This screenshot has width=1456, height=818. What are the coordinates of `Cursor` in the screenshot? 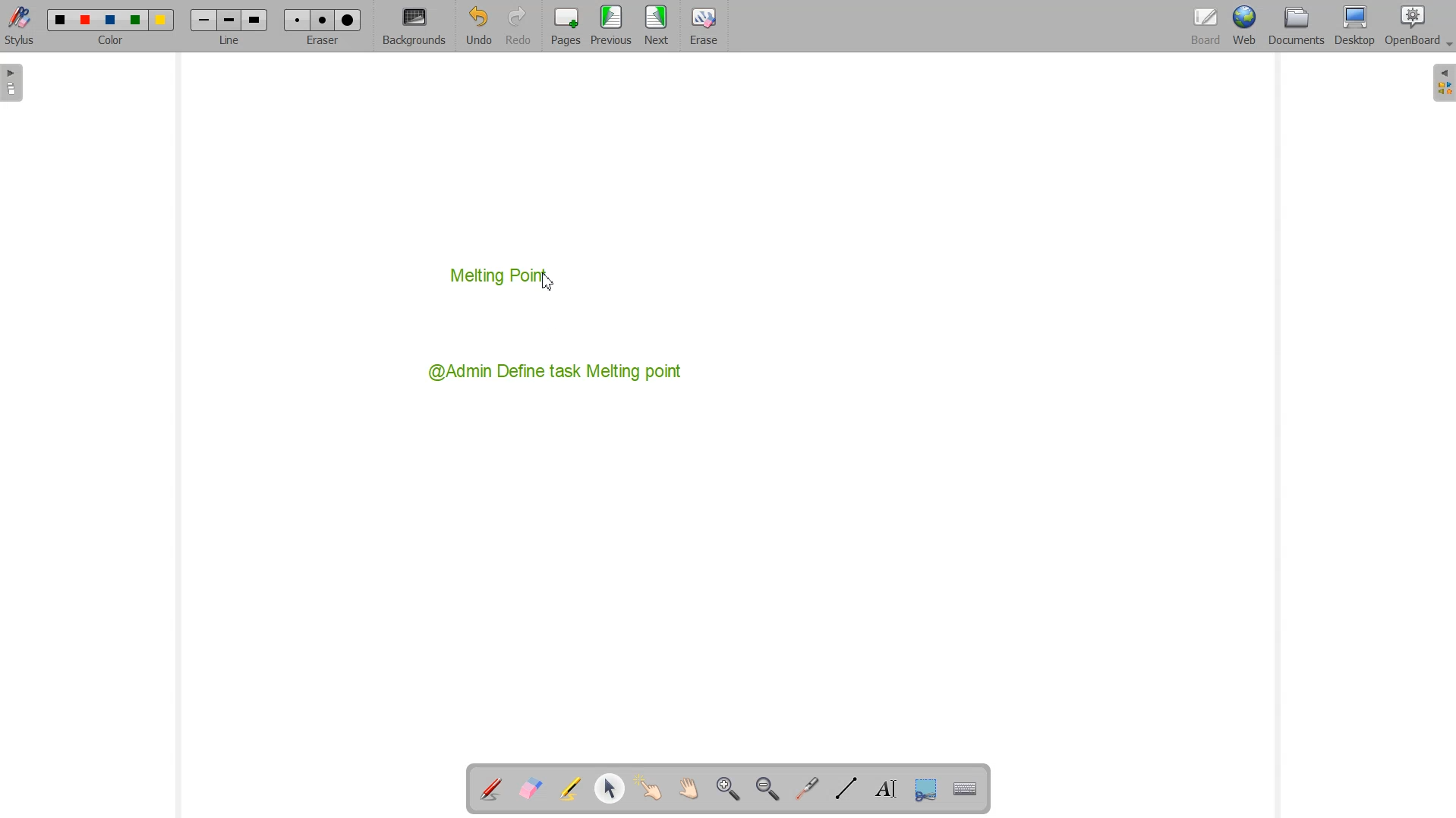 It's located at (552, 282).